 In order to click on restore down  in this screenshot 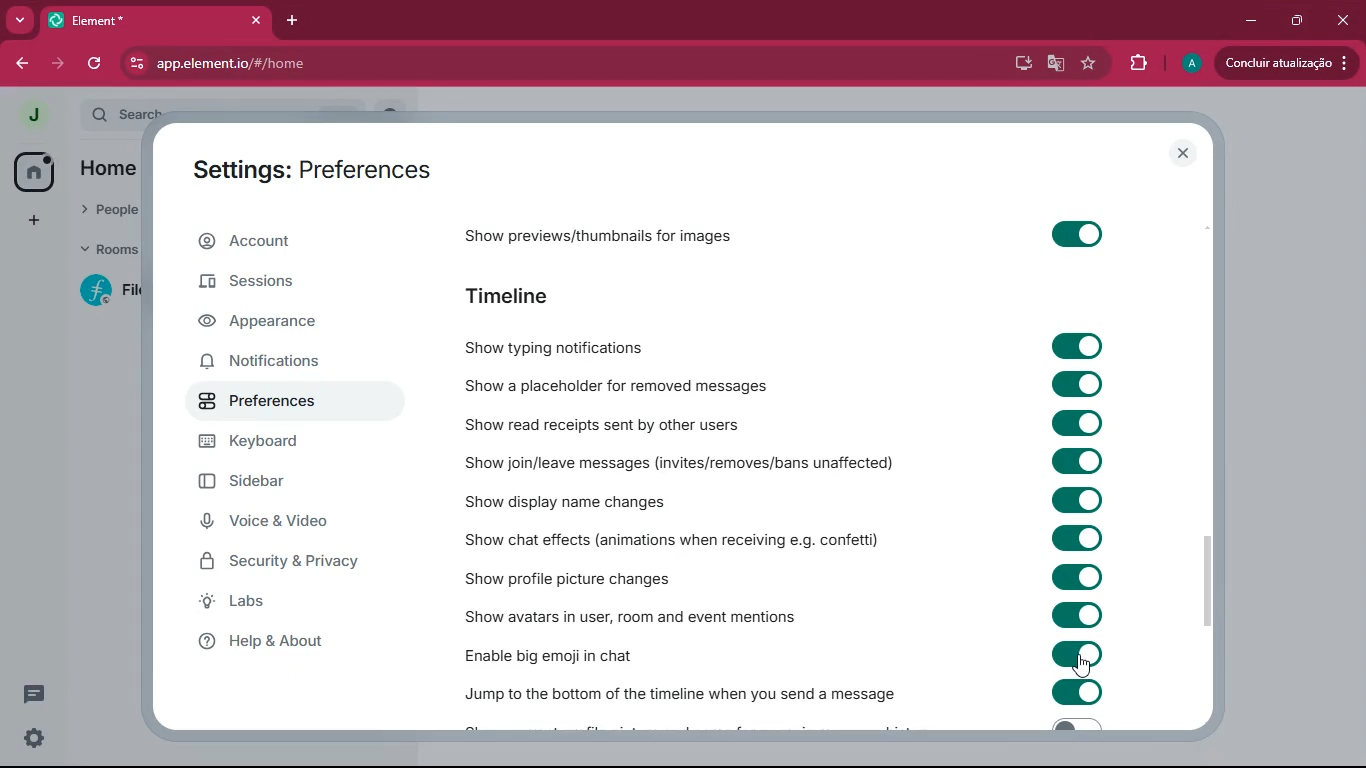, I will do `click(1299, 20)`.